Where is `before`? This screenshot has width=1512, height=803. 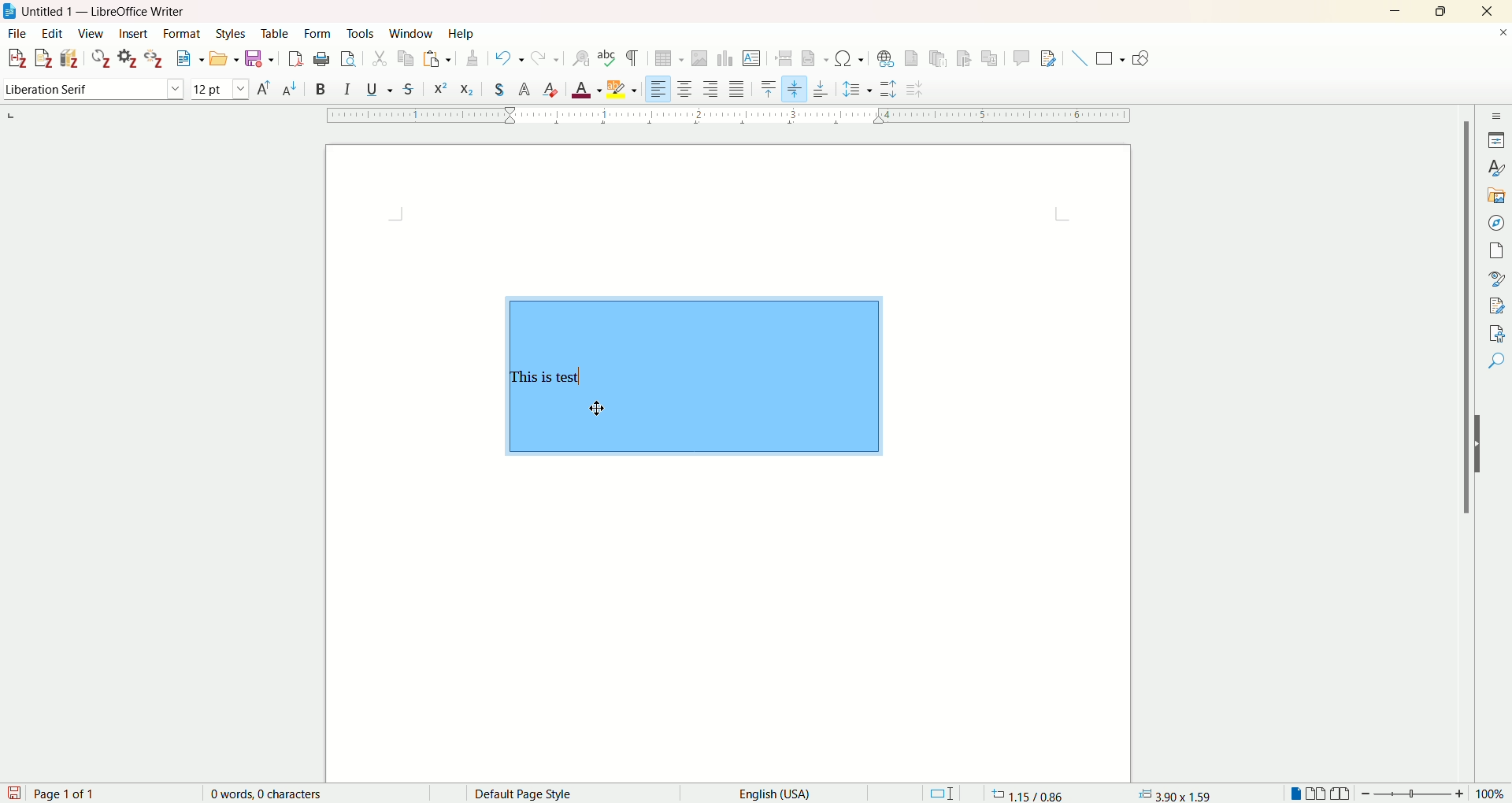
before is located at coordinates (137, 90).